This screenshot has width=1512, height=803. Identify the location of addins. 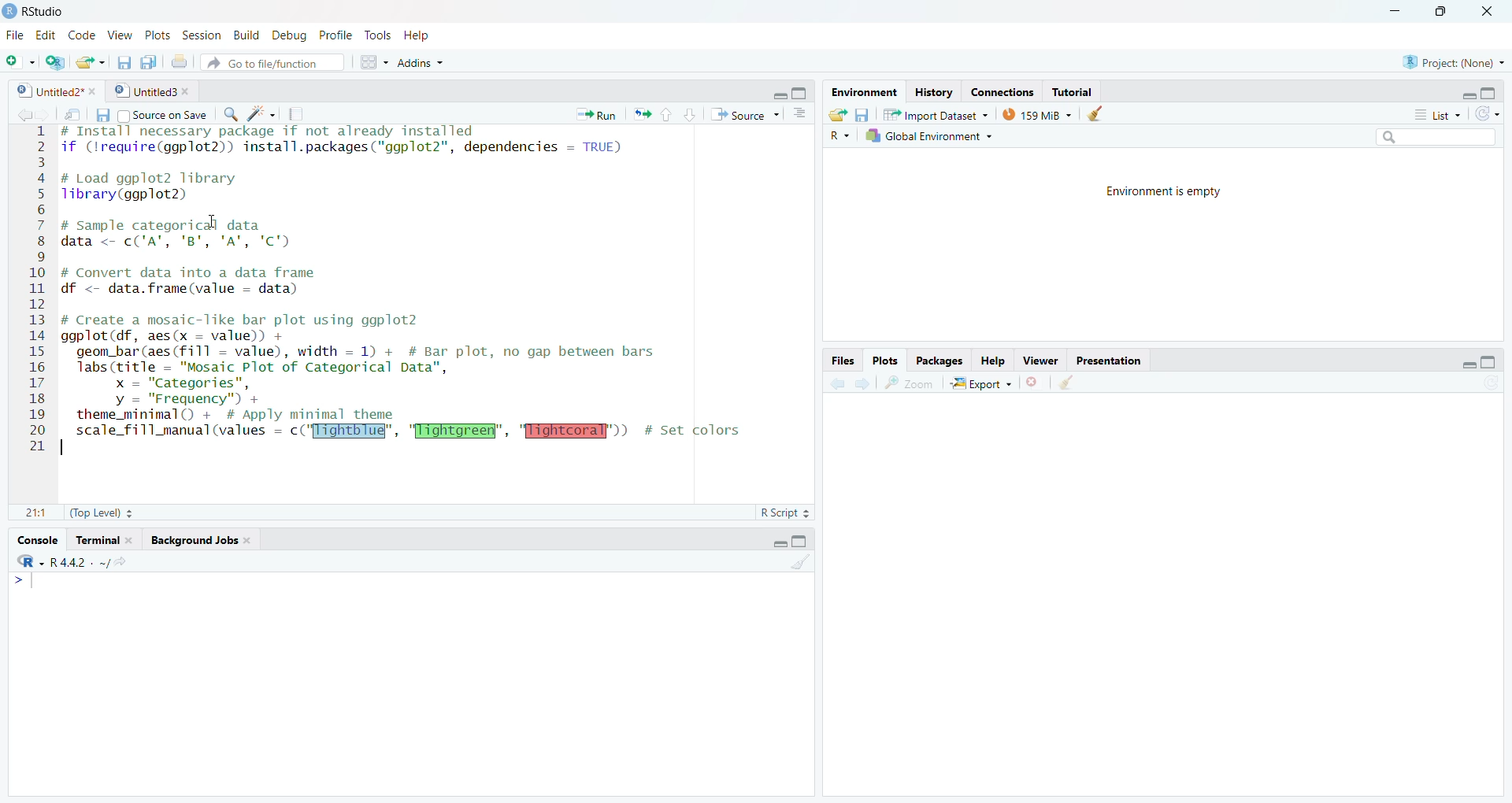
(421, 62).